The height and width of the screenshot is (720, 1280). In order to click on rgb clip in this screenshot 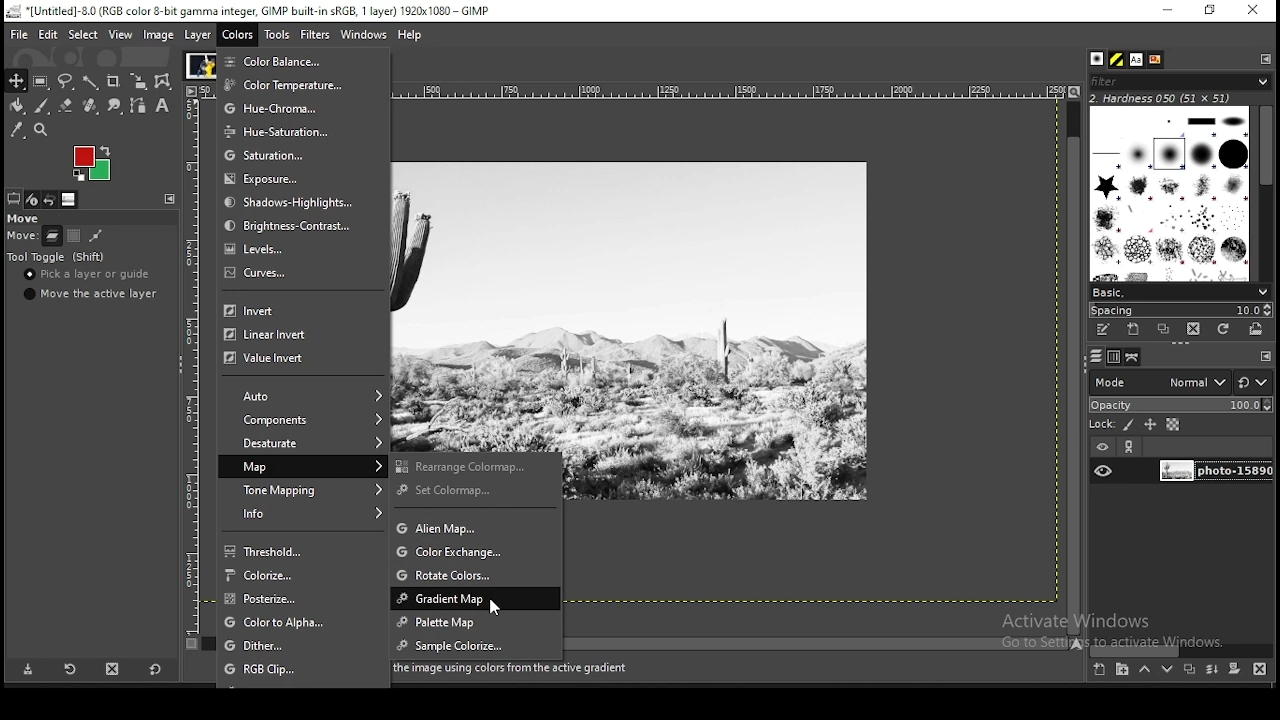, I will do `click(303, 669)`.